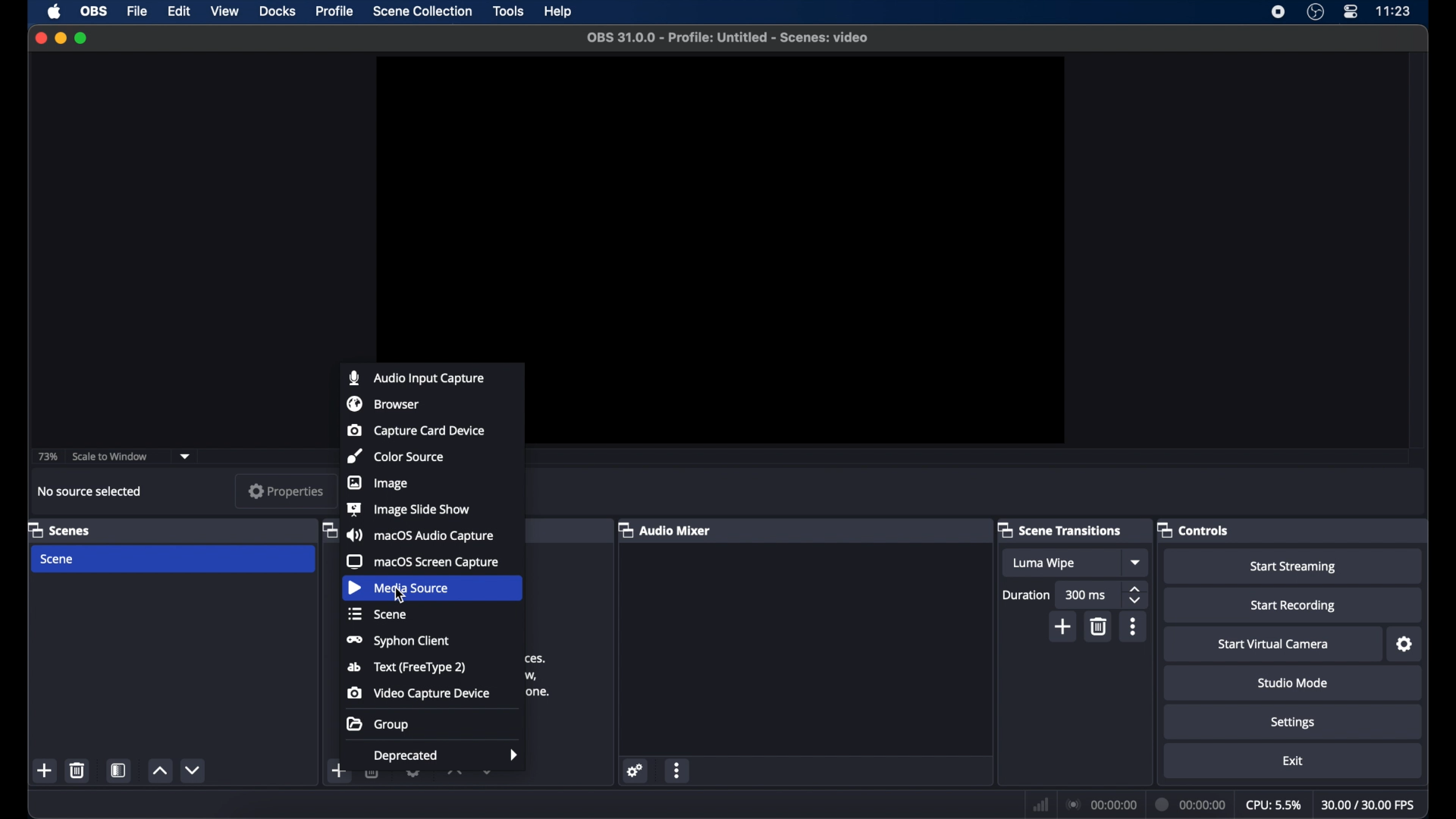 This screenshot has height=819, width=1456. I want to click on profile, so click(336, 11).